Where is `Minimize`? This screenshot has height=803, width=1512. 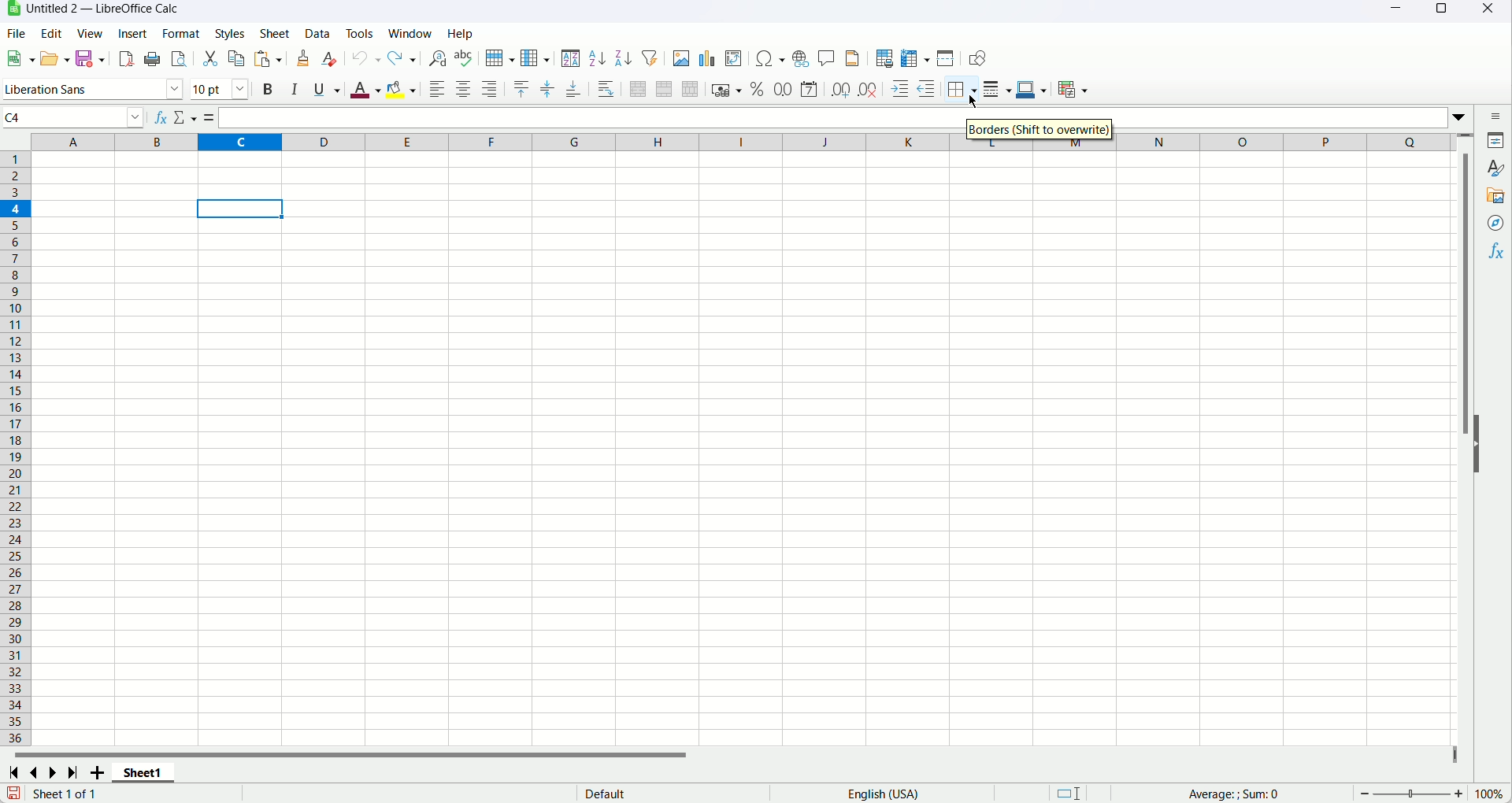
Minimize is located at coordinates (1399, 11).